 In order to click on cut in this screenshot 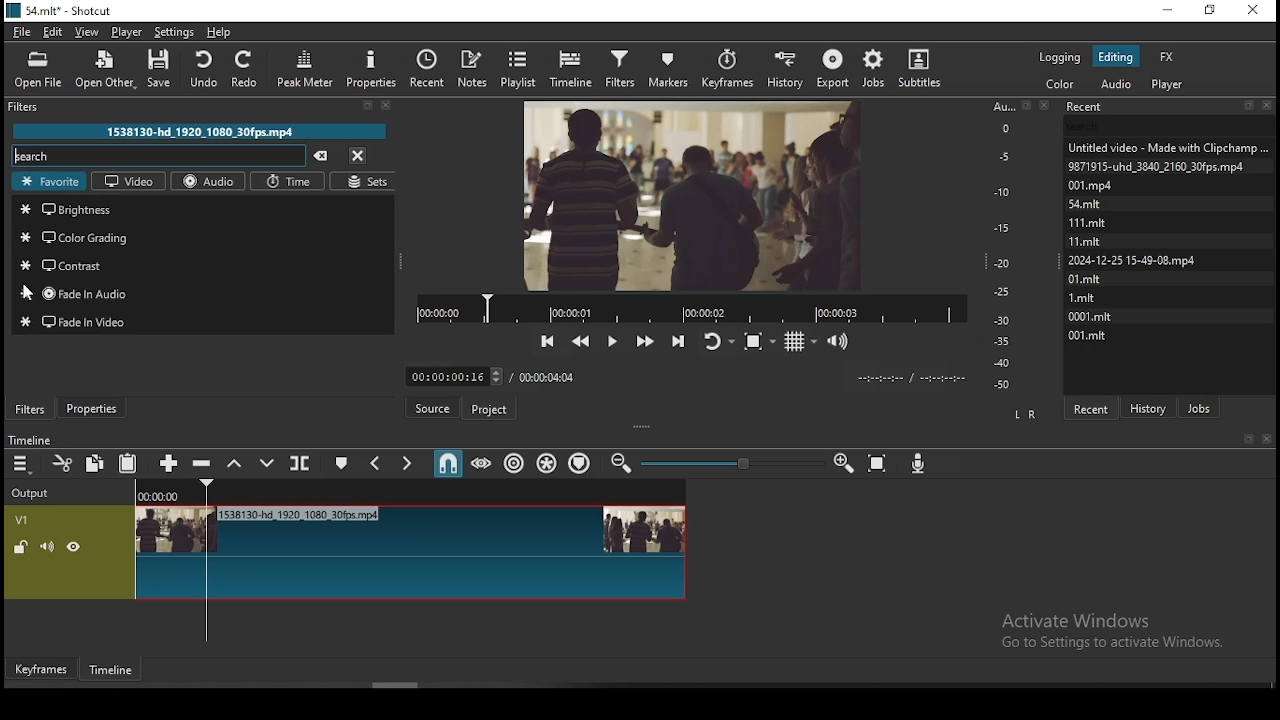, I will do `click(58, 465)`.